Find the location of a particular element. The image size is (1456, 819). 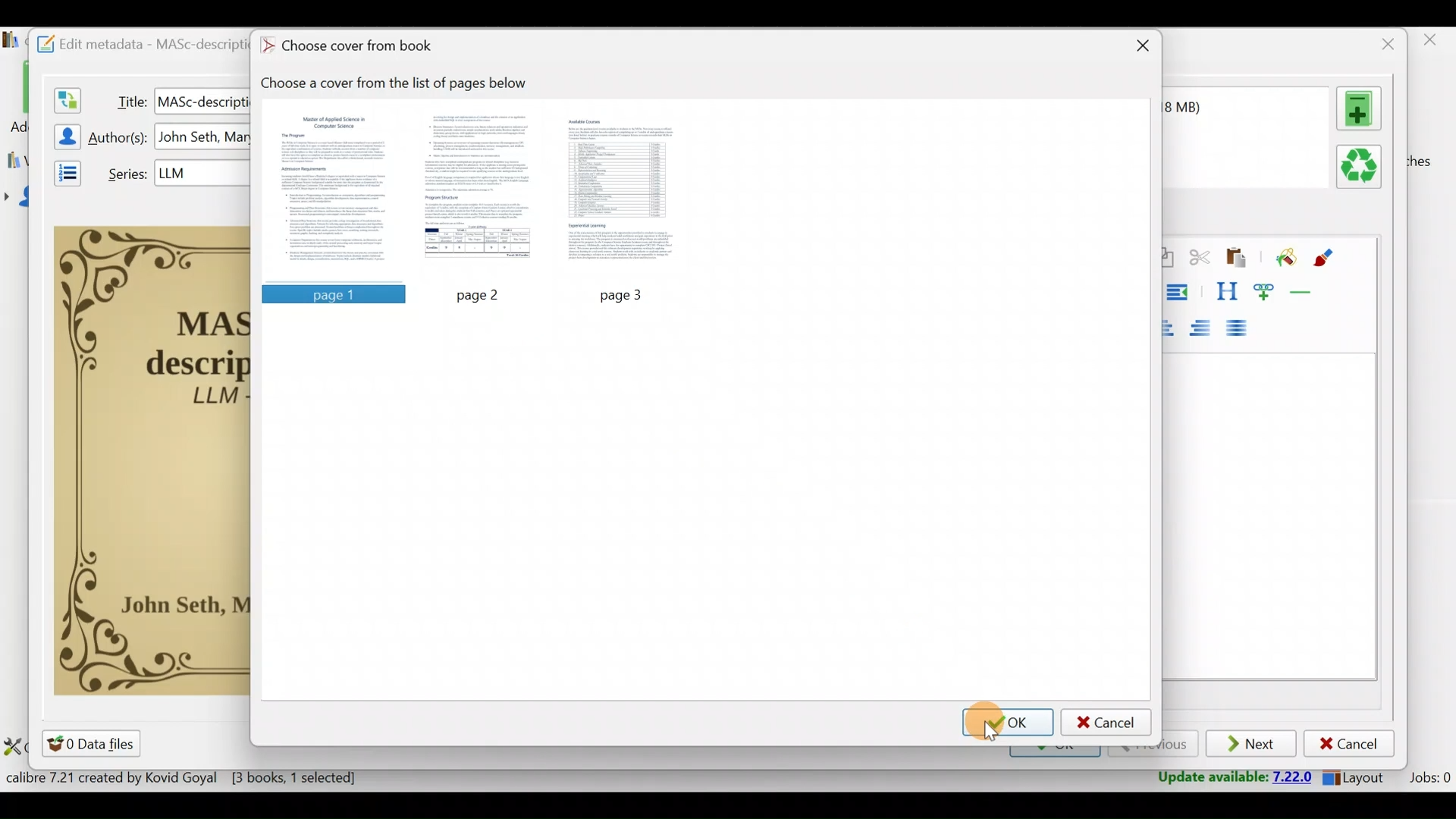

Align justified is located at coordinates (1241, 329).